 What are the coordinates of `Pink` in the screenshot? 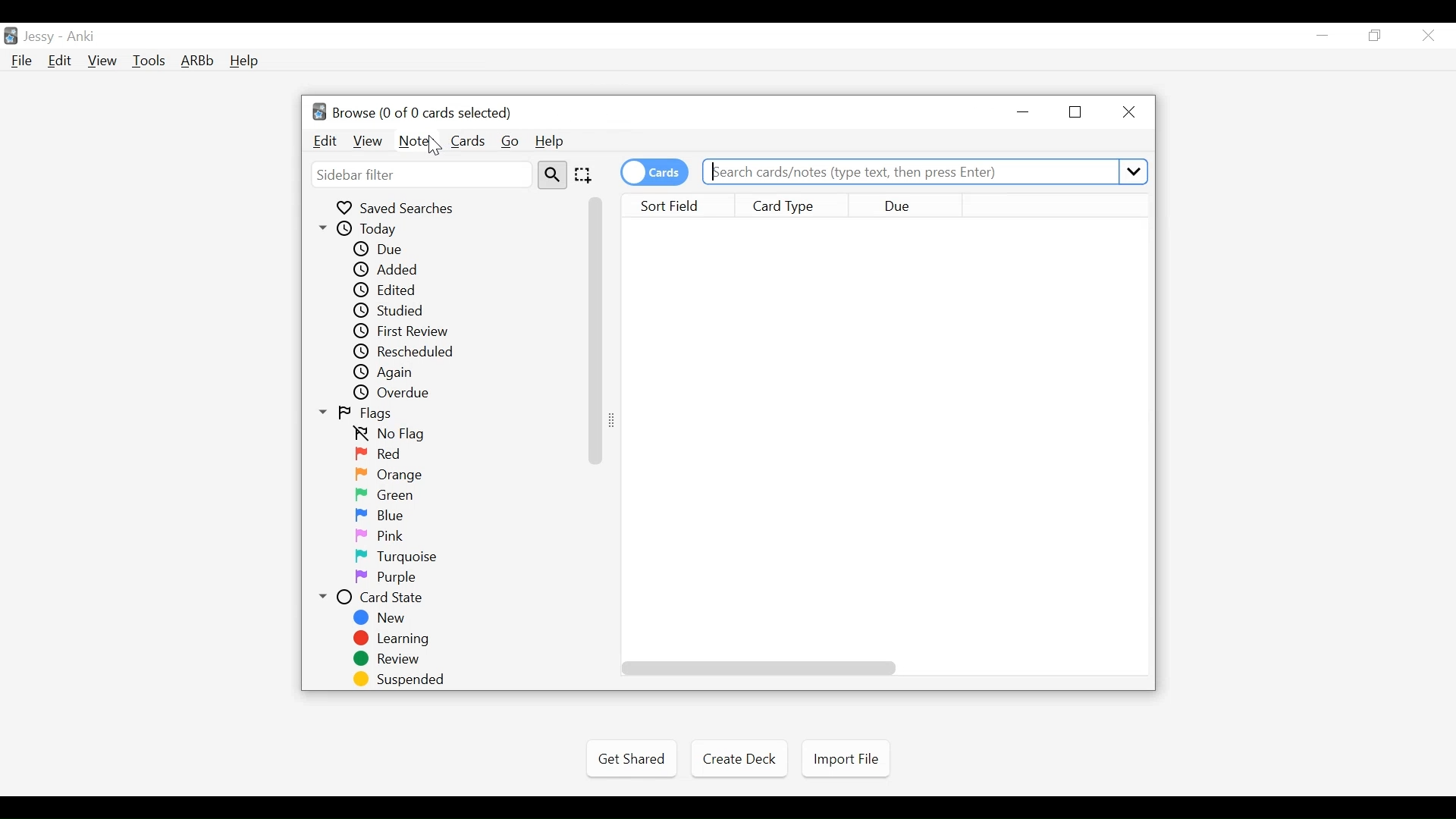 It's located at (380, 535).